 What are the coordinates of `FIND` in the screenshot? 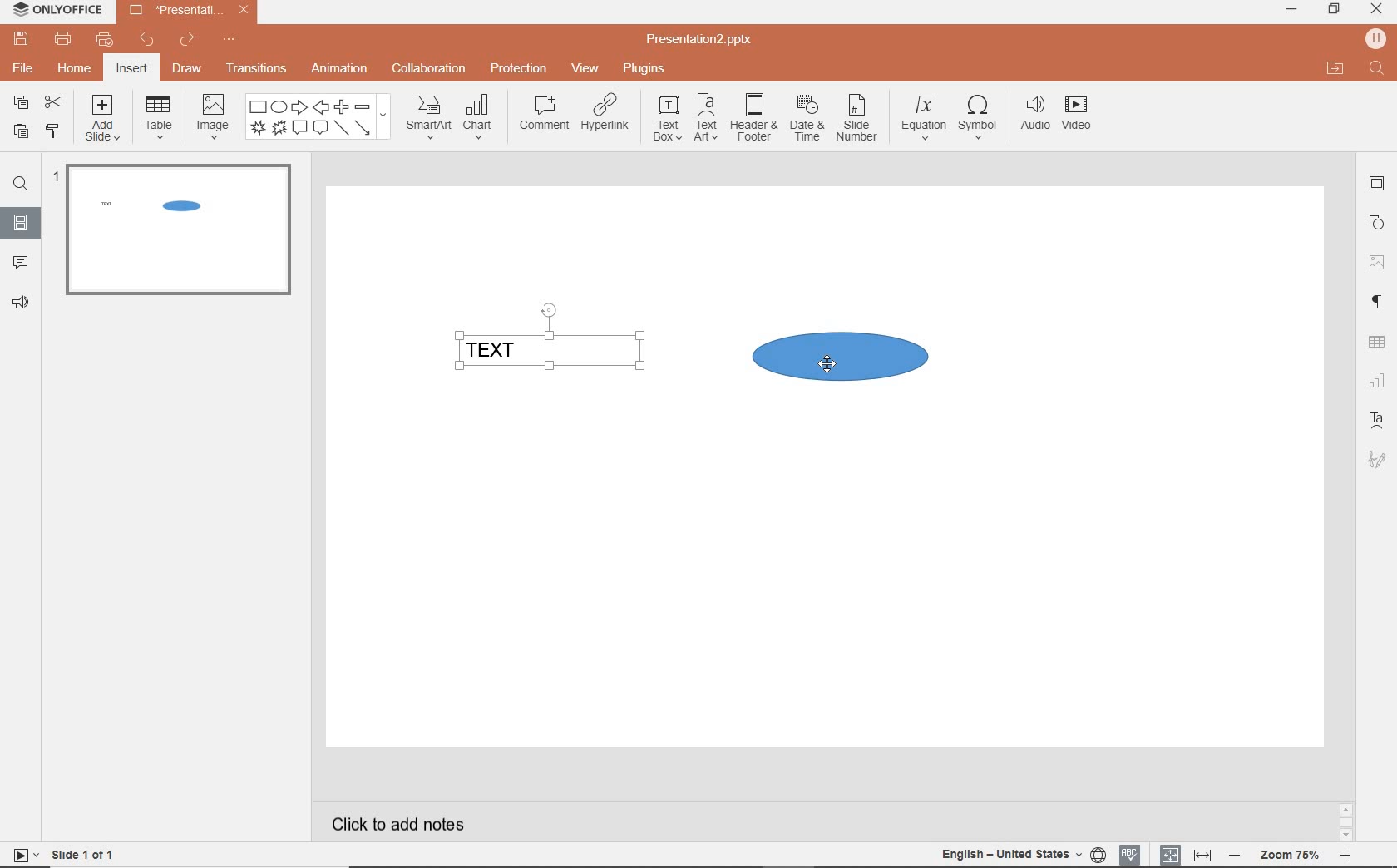 It's located at (18, 186).